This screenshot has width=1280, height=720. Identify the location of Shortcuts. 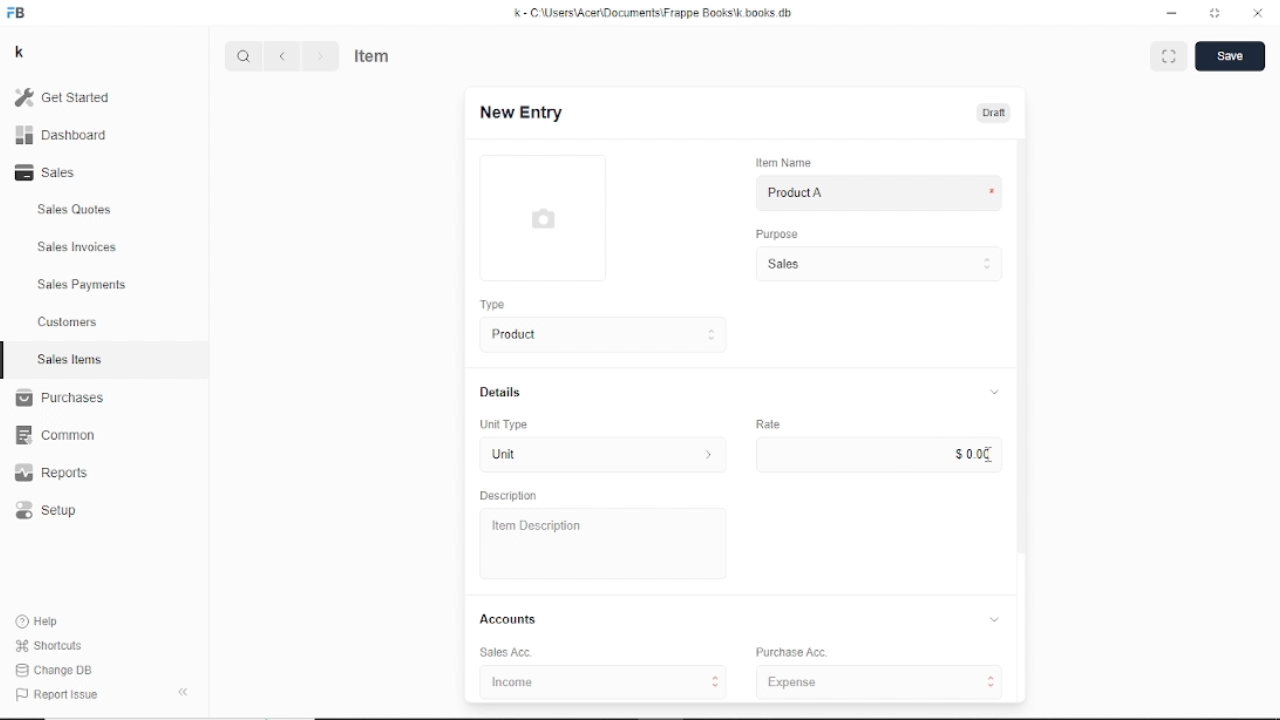
(51, 647).